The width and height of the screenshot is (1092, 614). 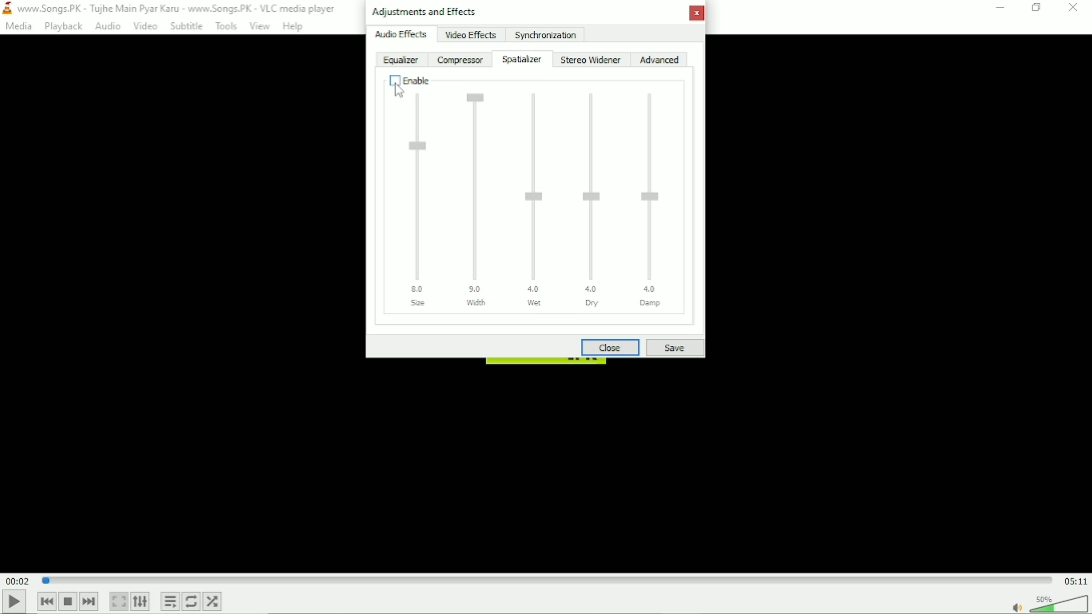 What do you see at coordinates (546, 34) in the screenshot?
I see `Synchronization` at bounding box center [546, 34].